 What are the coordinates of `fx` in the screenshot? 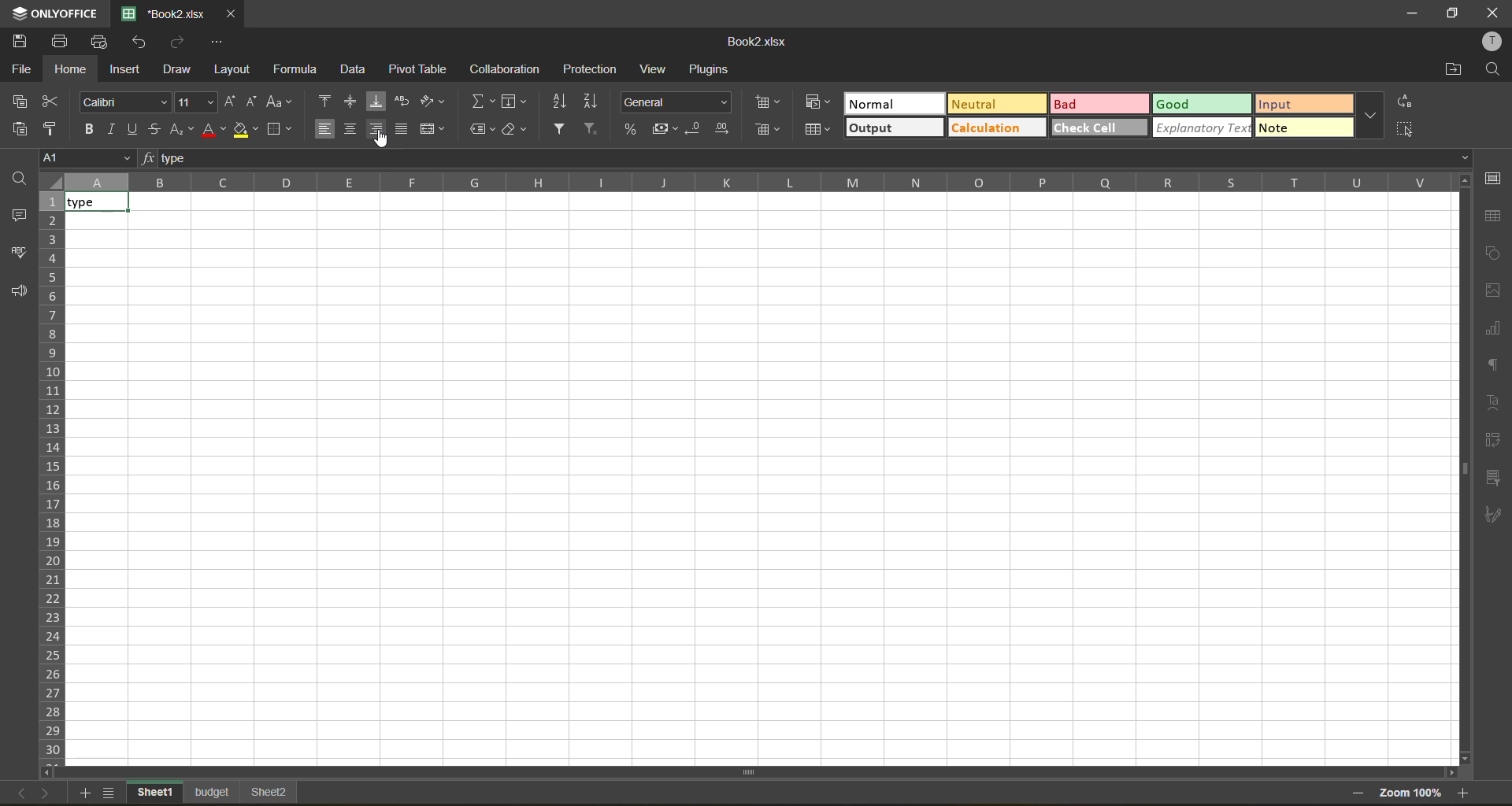 It's located at (151, 159).